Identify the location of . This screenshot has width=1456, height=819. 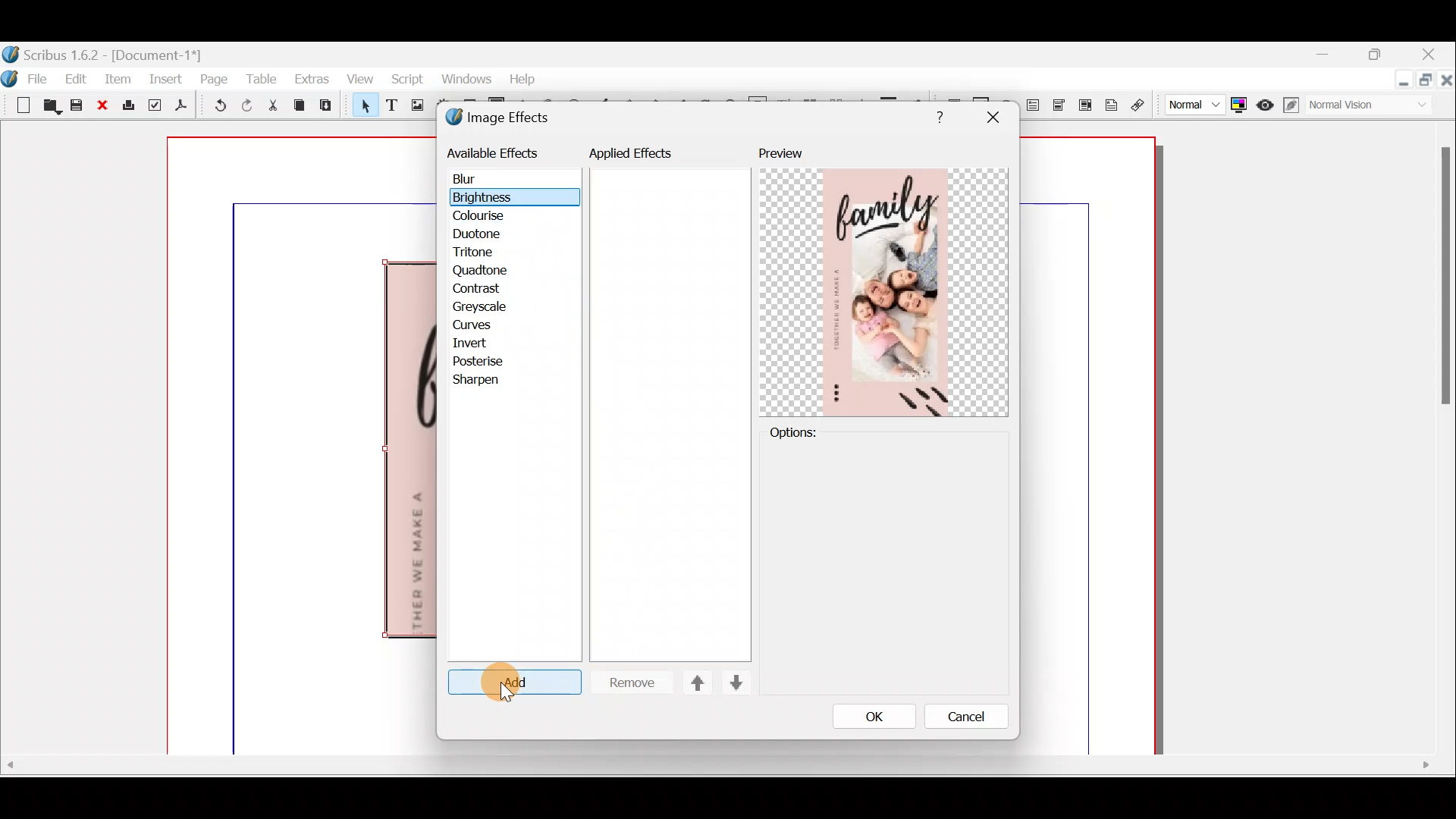
(936, 115).